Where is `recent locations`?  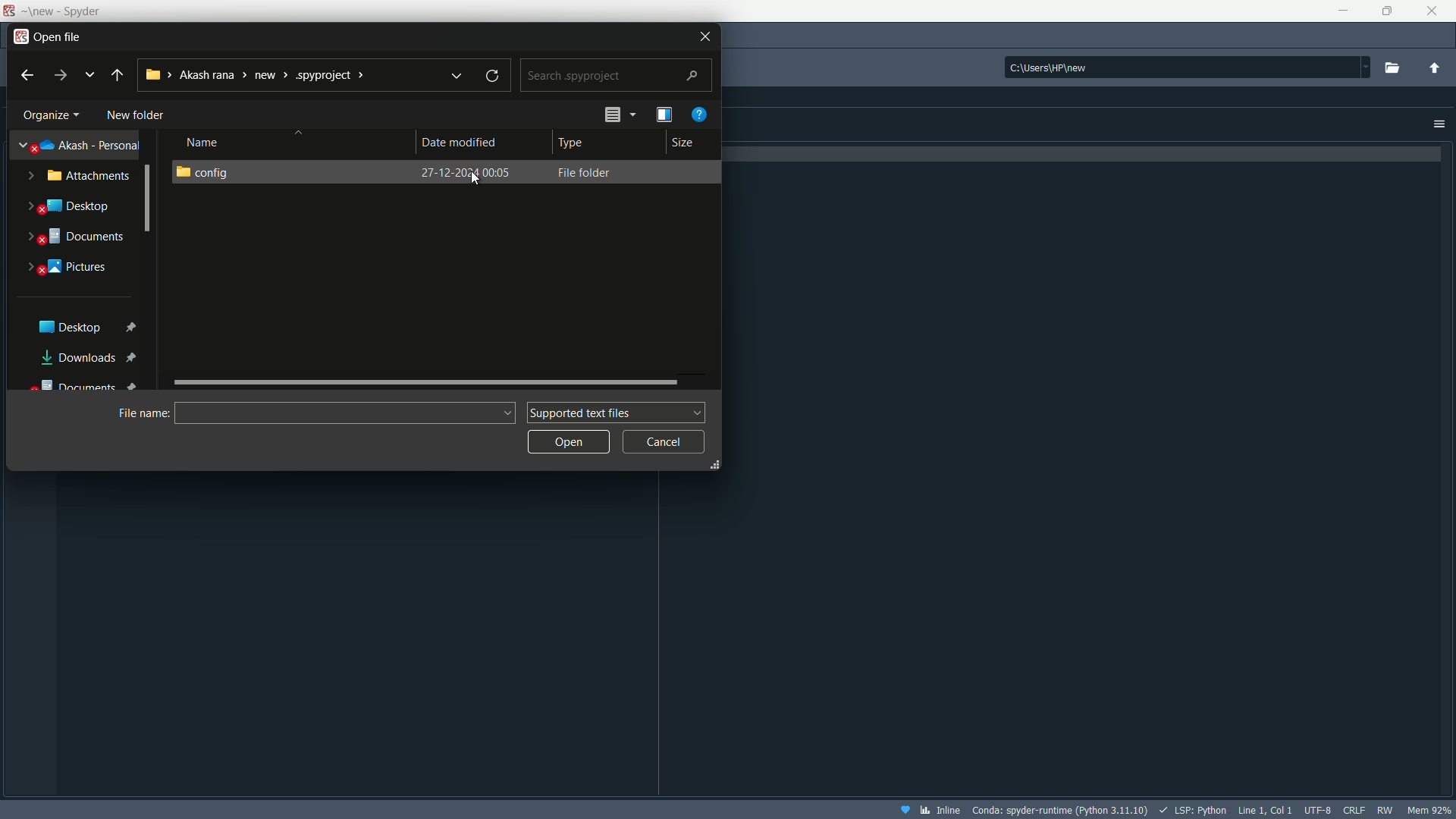
recent locations is located at coordinates (458, 77).